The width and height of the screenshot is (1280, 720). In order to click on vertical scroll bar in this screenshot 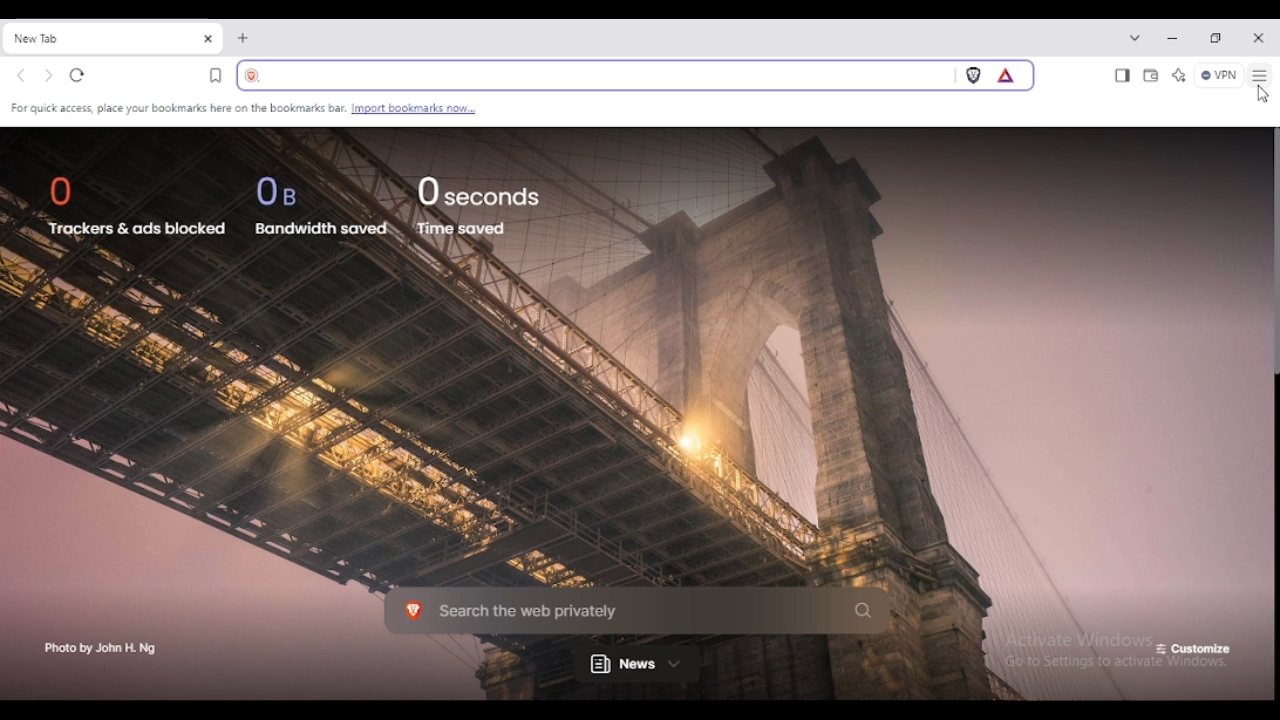, I will do `click(1271, 251)`.